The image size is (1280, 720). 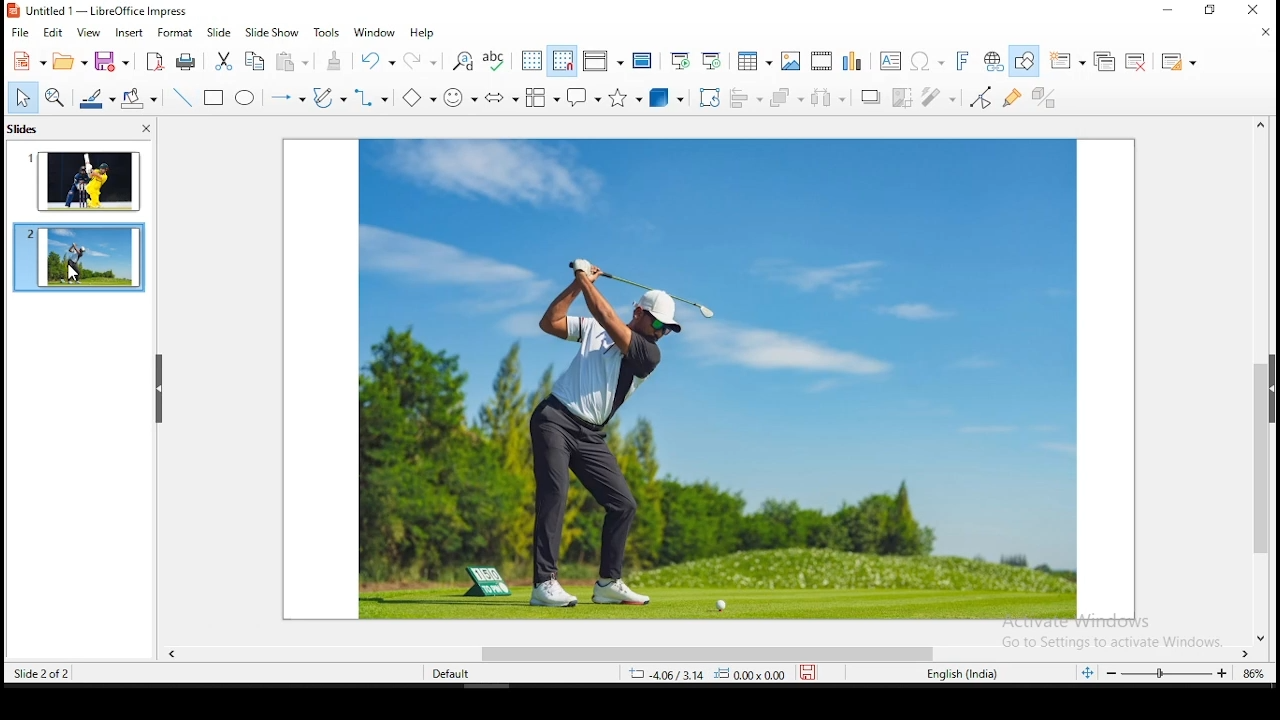 I want to click on slide 2 of 2, so click(x=46, y=673).